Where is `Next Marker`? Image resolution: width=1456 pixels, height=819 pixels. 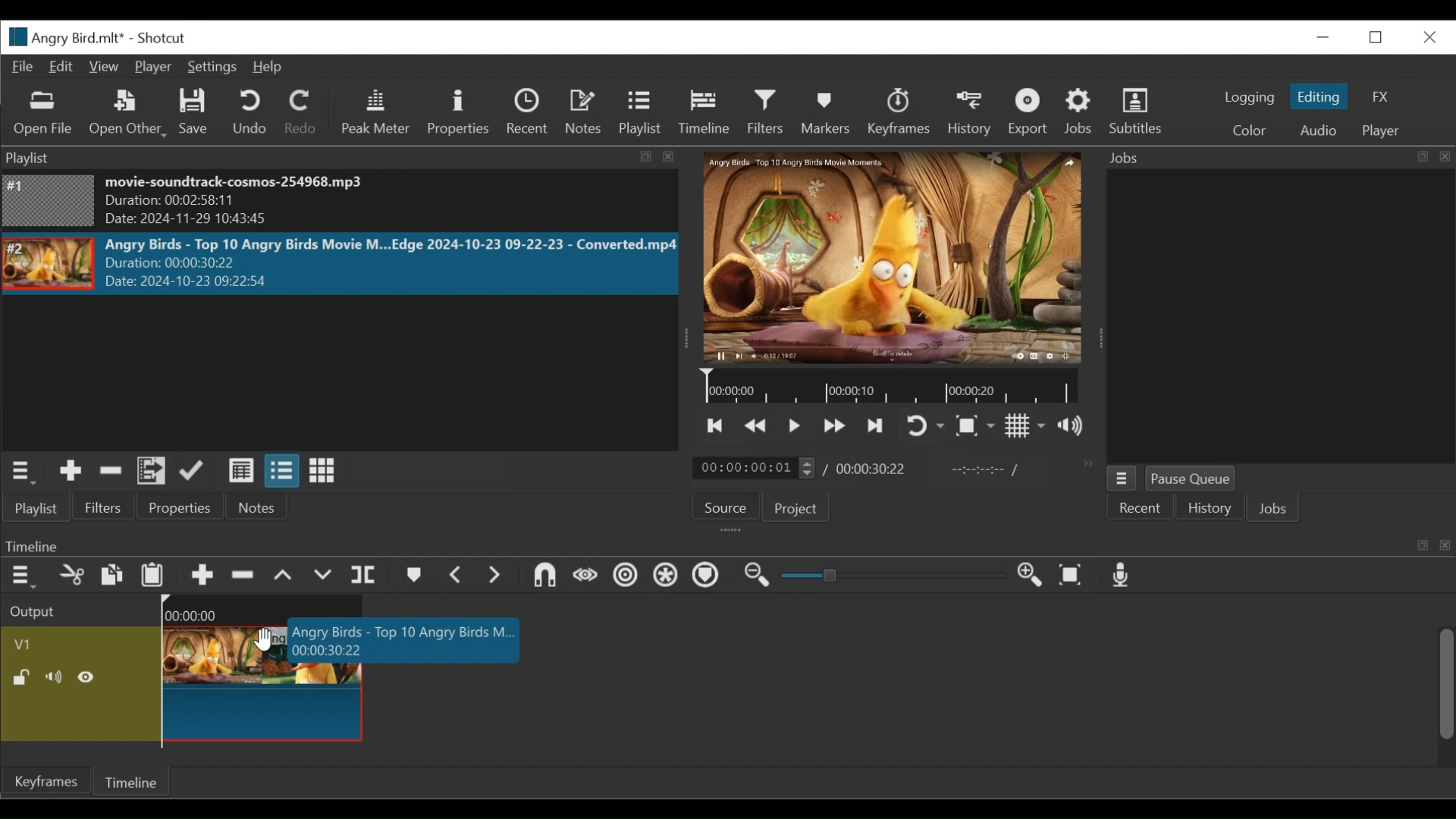
Next Marker is located at coordinates (492, 576).